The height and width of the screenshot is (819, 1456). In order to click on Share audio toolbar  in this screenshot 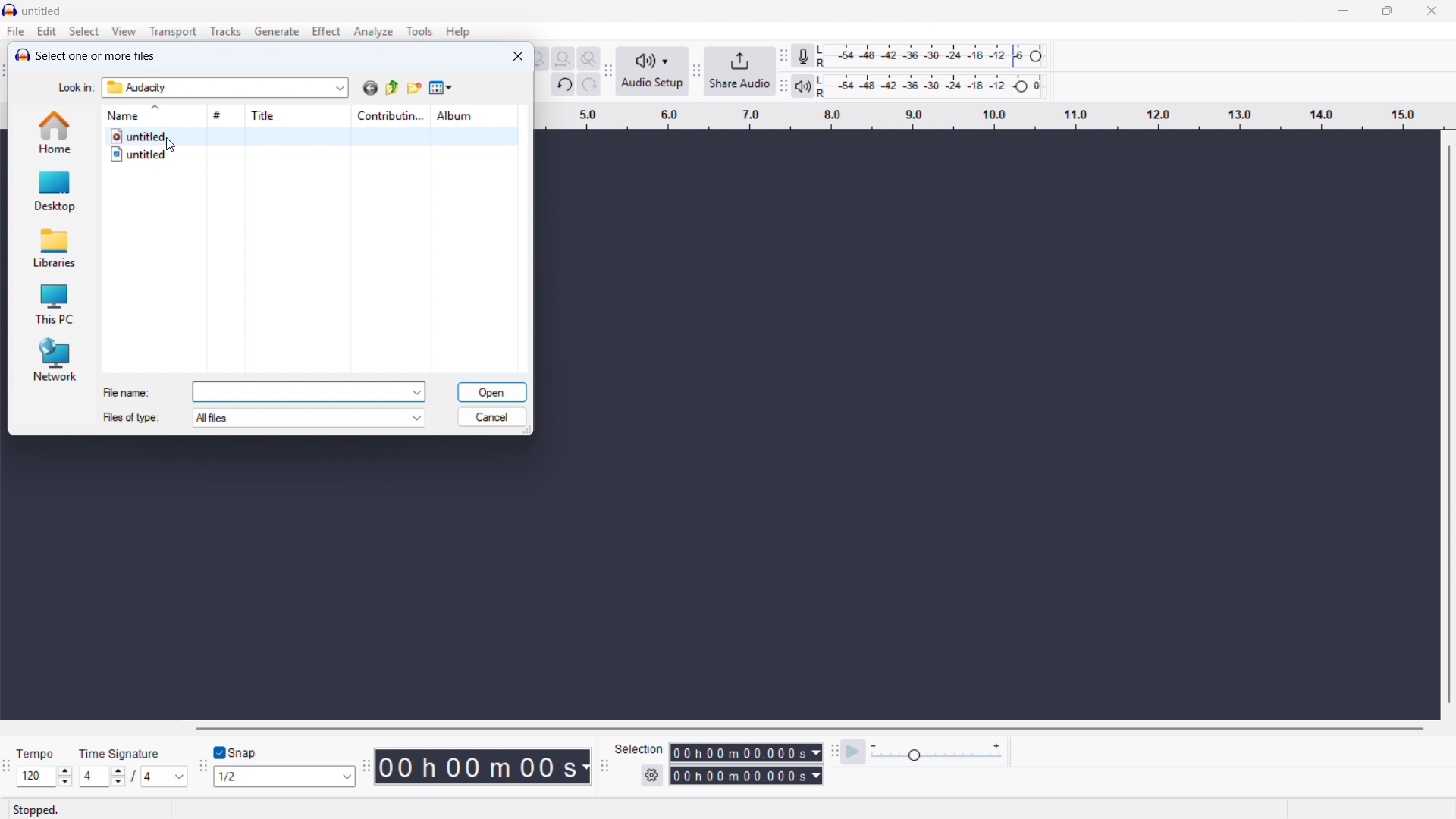, I will do `click(695, 73)`.